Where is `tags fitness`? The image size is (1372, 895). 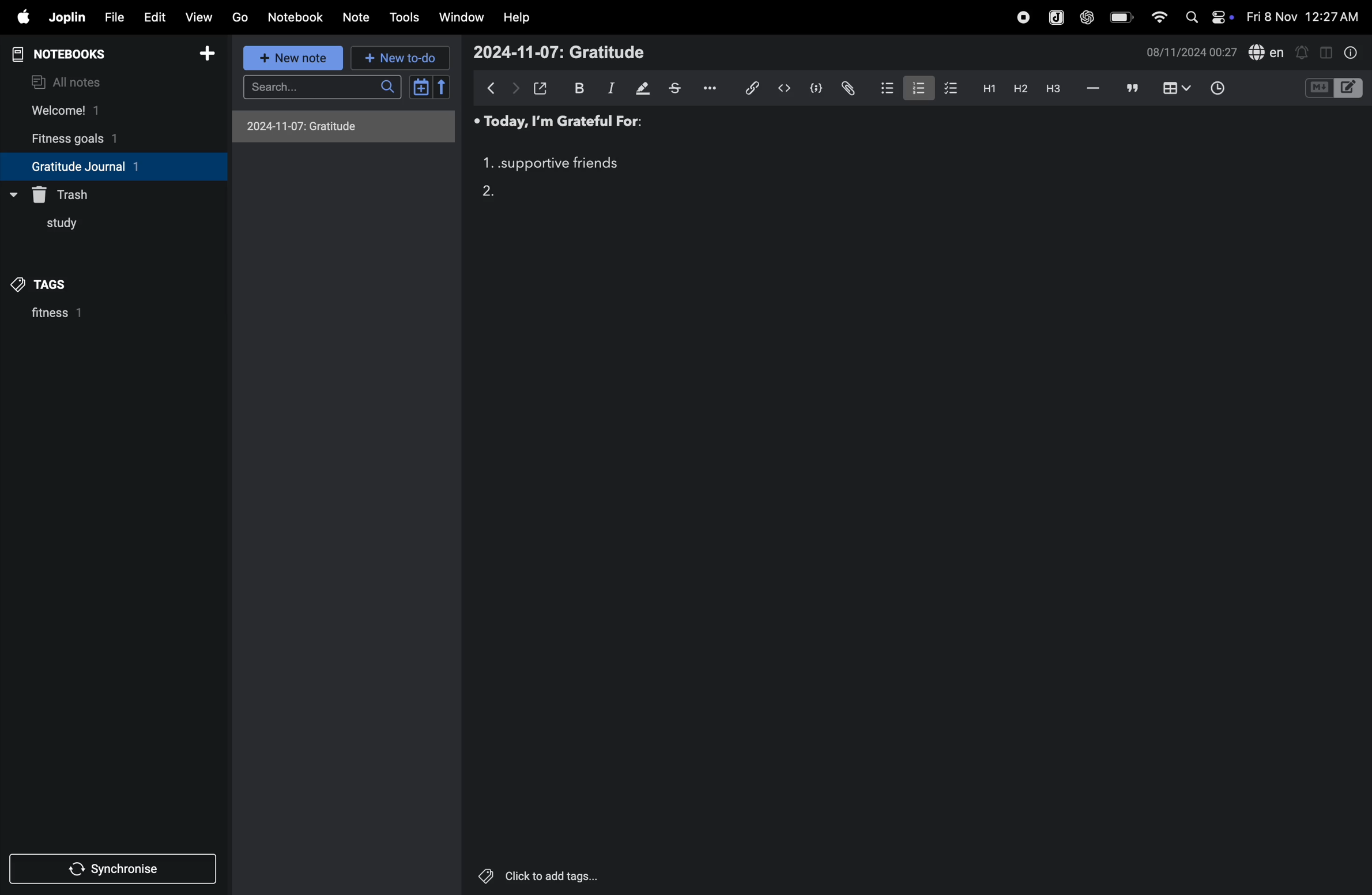 tags fitness is located at coordinates (49, 284).